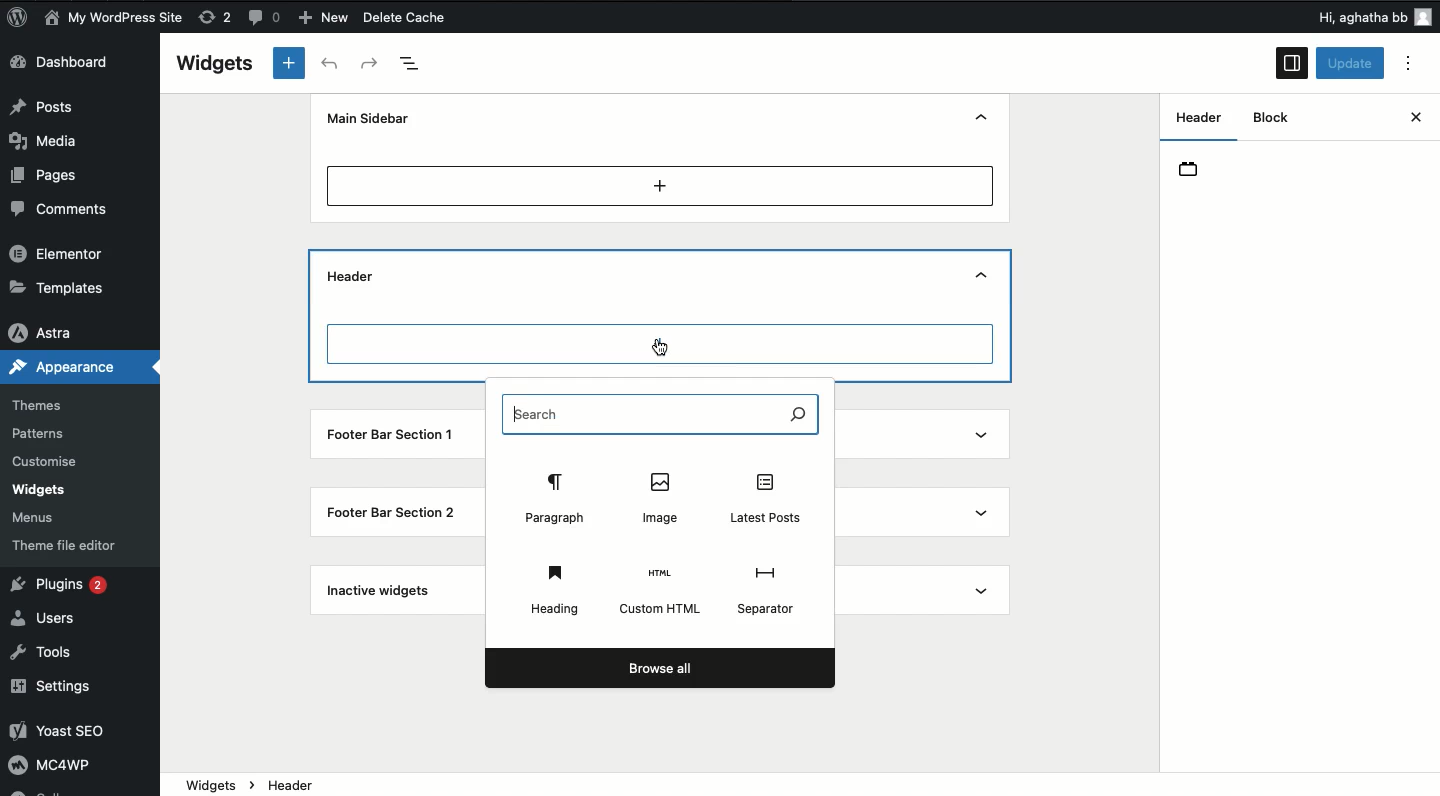 This screenshot has height=796, width=1440. What do you see at coordinates (1351, 64) in the screenshot?
I see `Update` at bounding box center [1351, 64].